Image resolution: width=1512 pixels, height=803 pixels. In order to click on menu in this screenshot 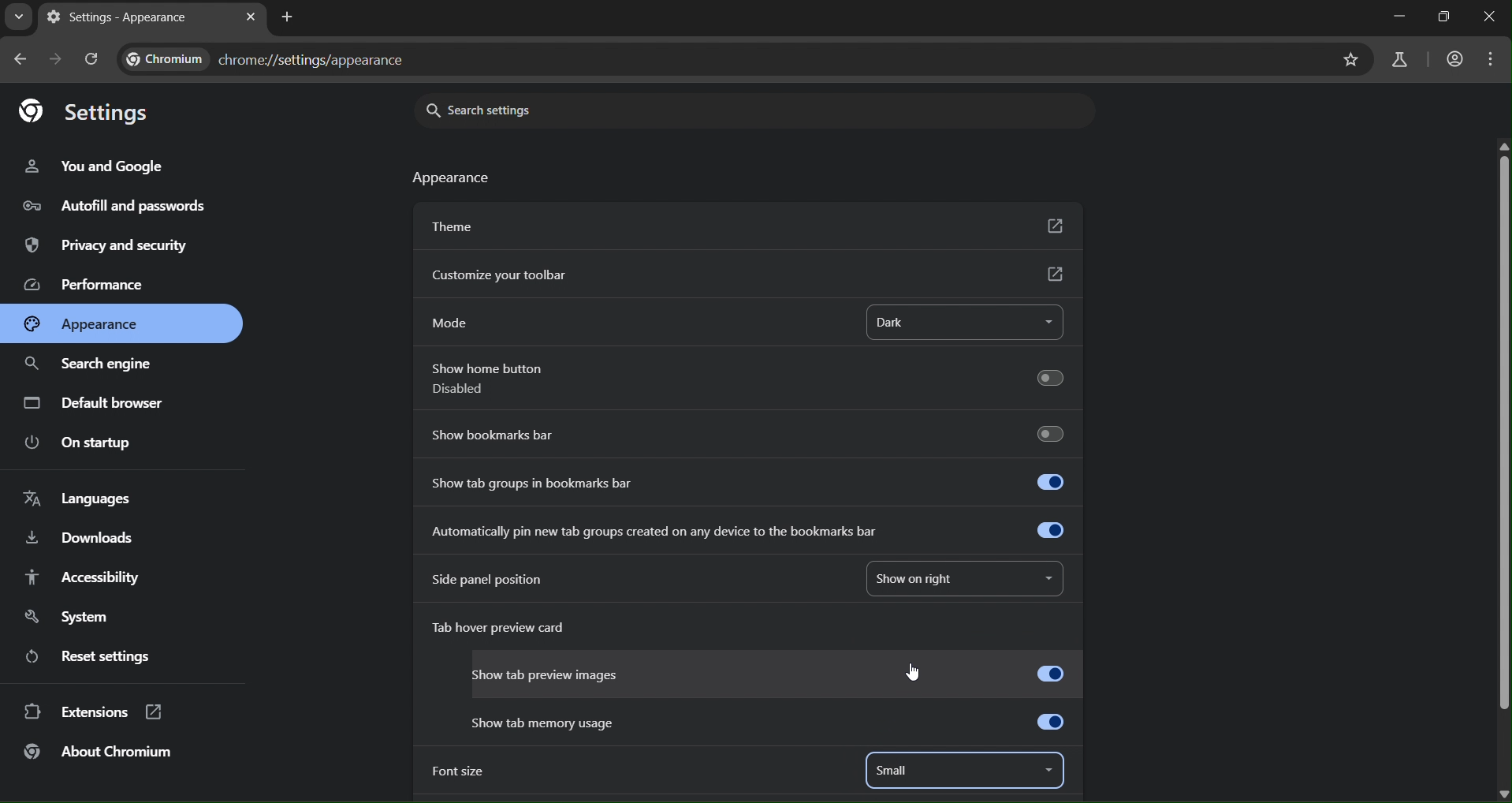, I will do `click(1493, 58)`.